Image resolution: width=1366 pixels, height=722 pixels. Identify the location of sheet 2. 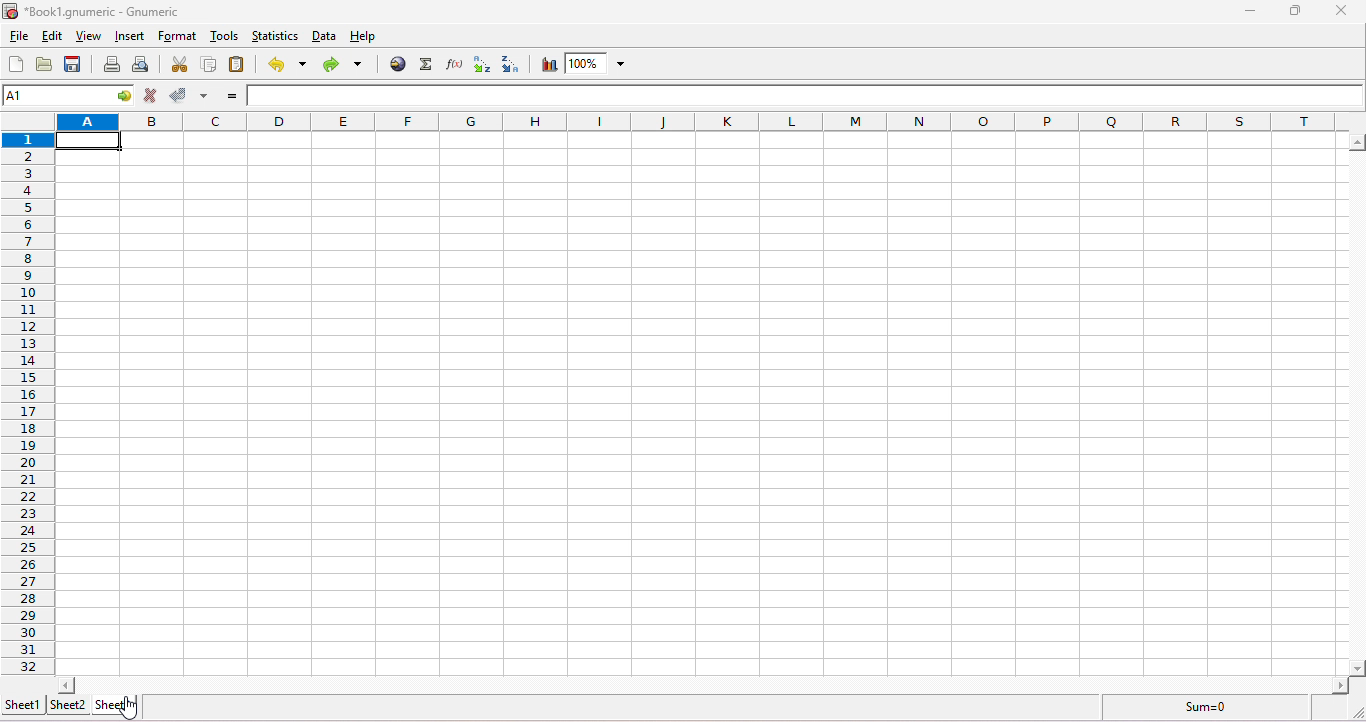
(72, 706).